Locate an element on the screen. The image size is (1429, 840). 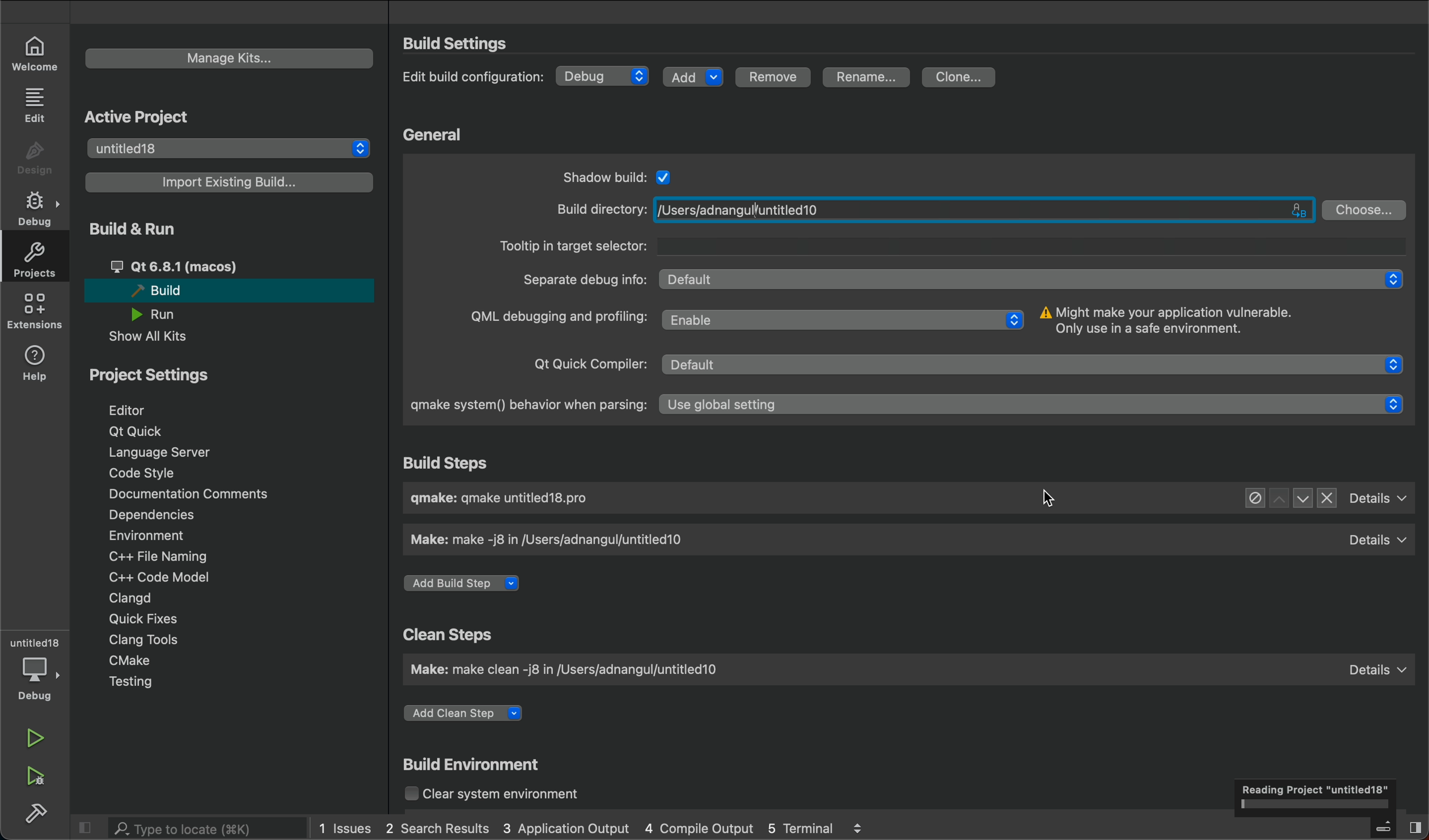
gmake: gmake untitled18.pro is located at coordinates (511, 500).